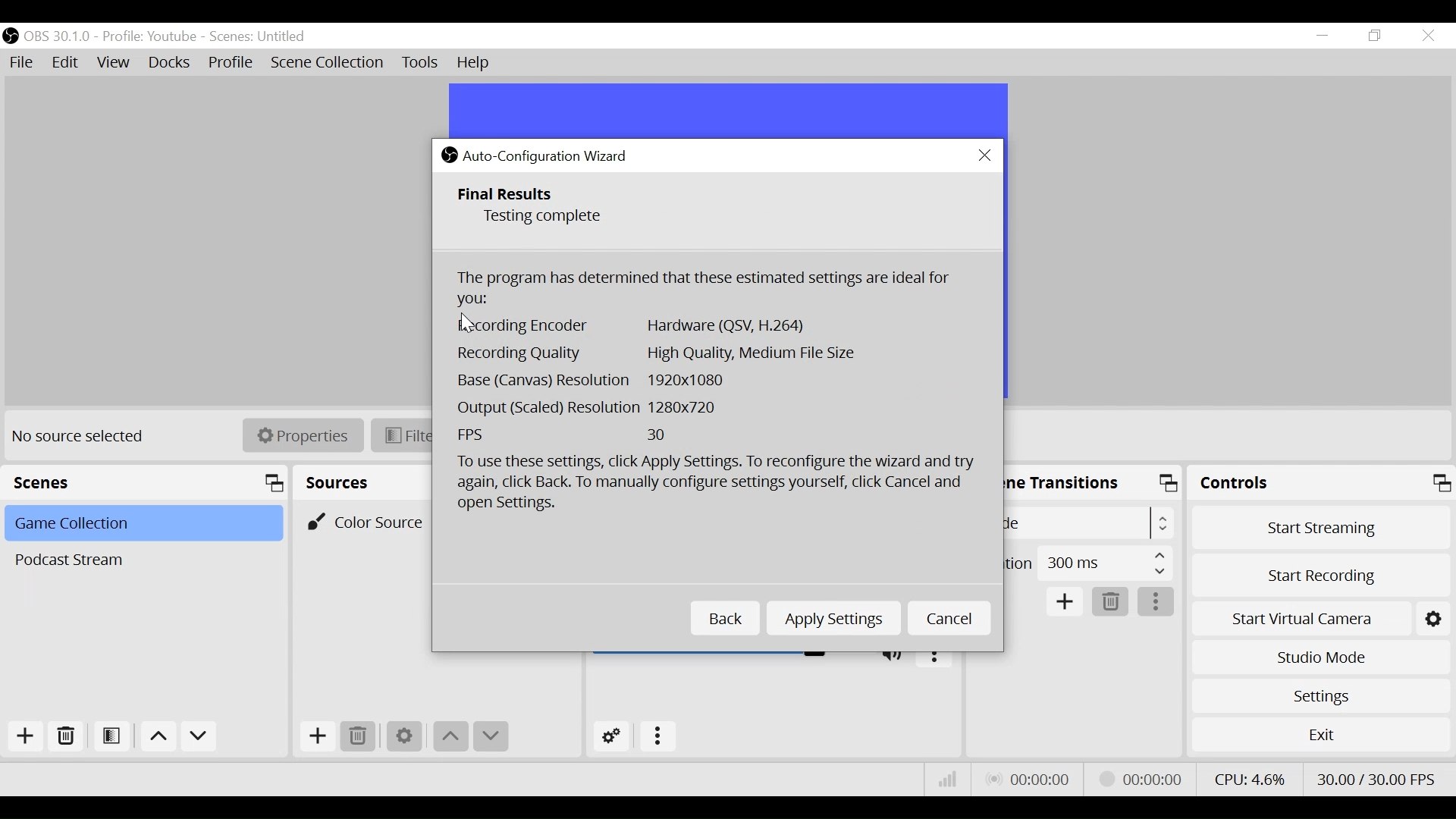 The height and width of the screenshot is (819, 1456). What do you see at coordinates (1373, 36) in the screenshot?
I see `Restore` at bounding box center [1373, 36].